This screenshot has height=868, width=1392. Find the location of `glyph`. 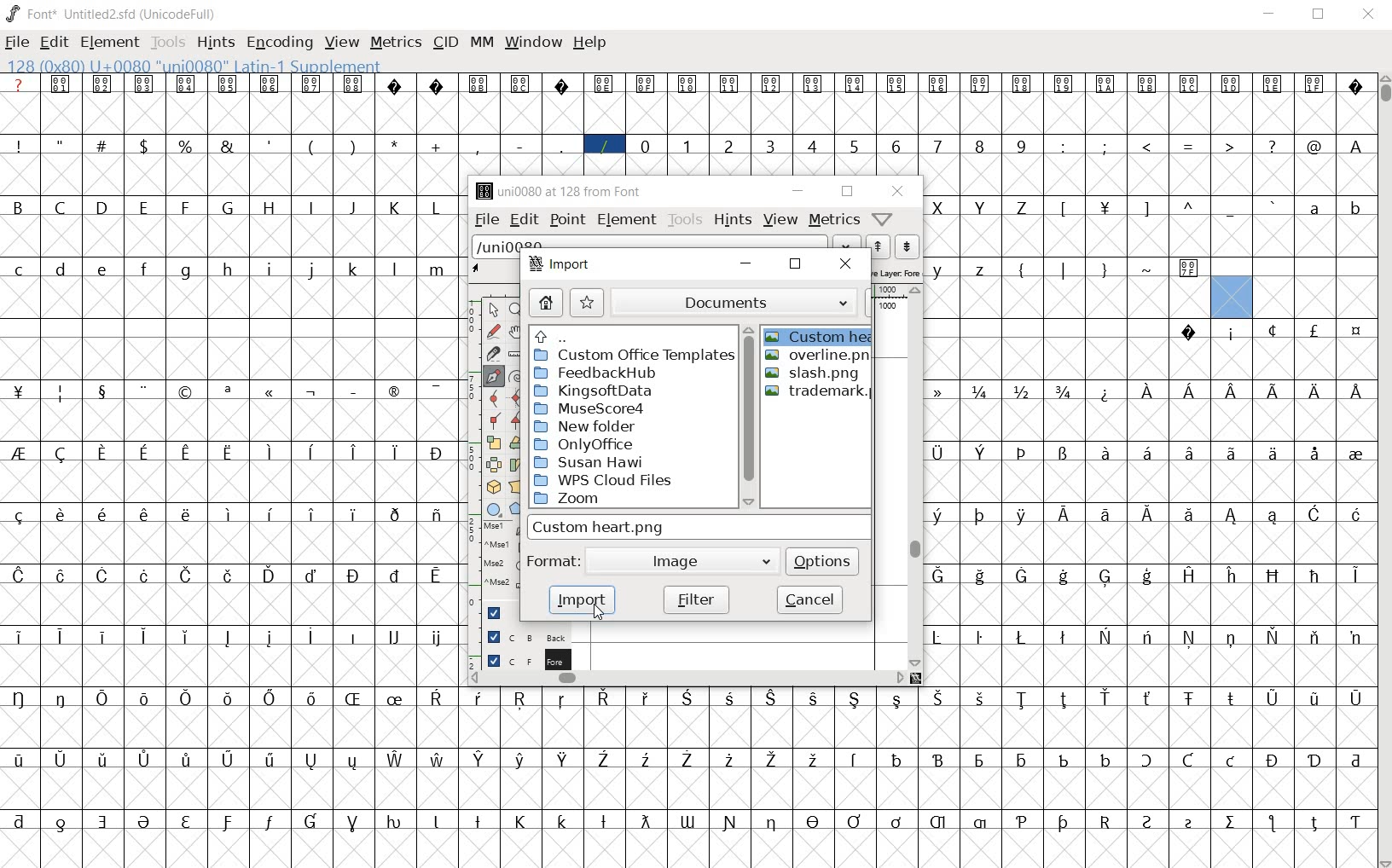

glyph is located at coordinates (1232, 453).